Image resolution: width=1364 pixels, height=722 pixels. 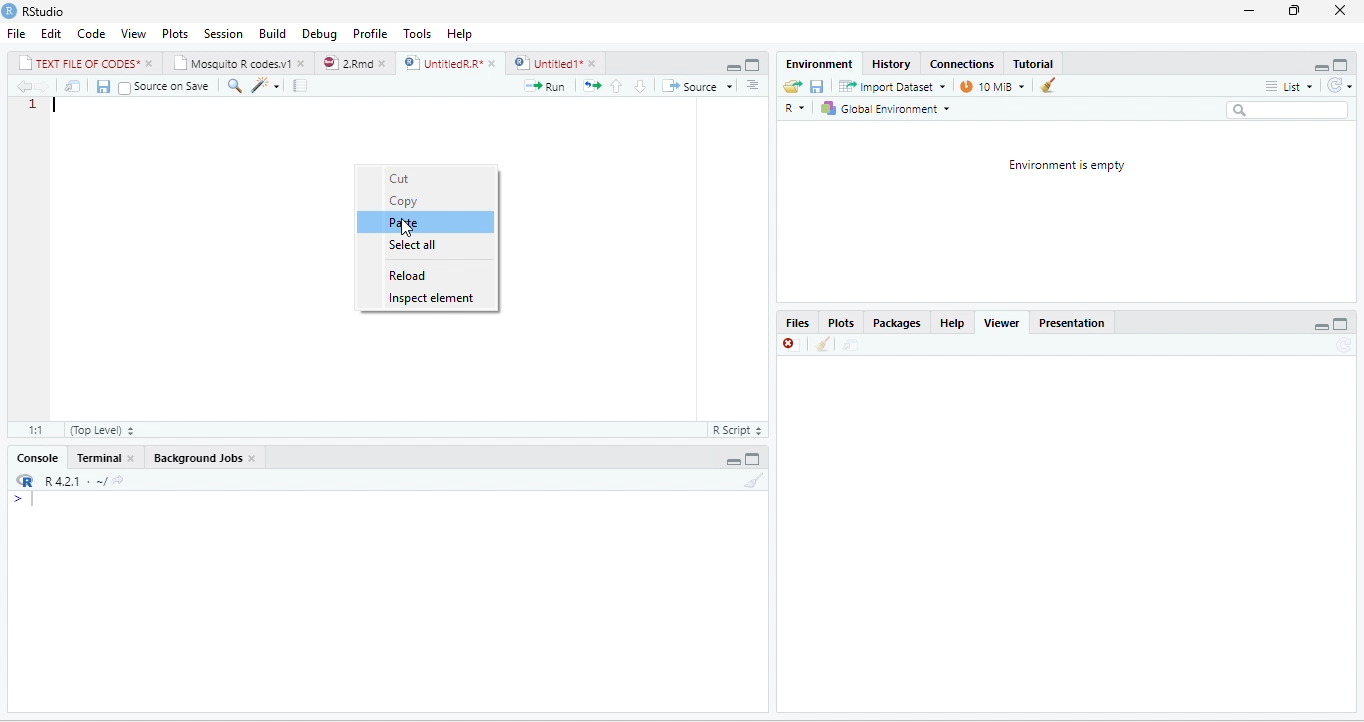 I want to click on drop down, so click(x=730, y=87).